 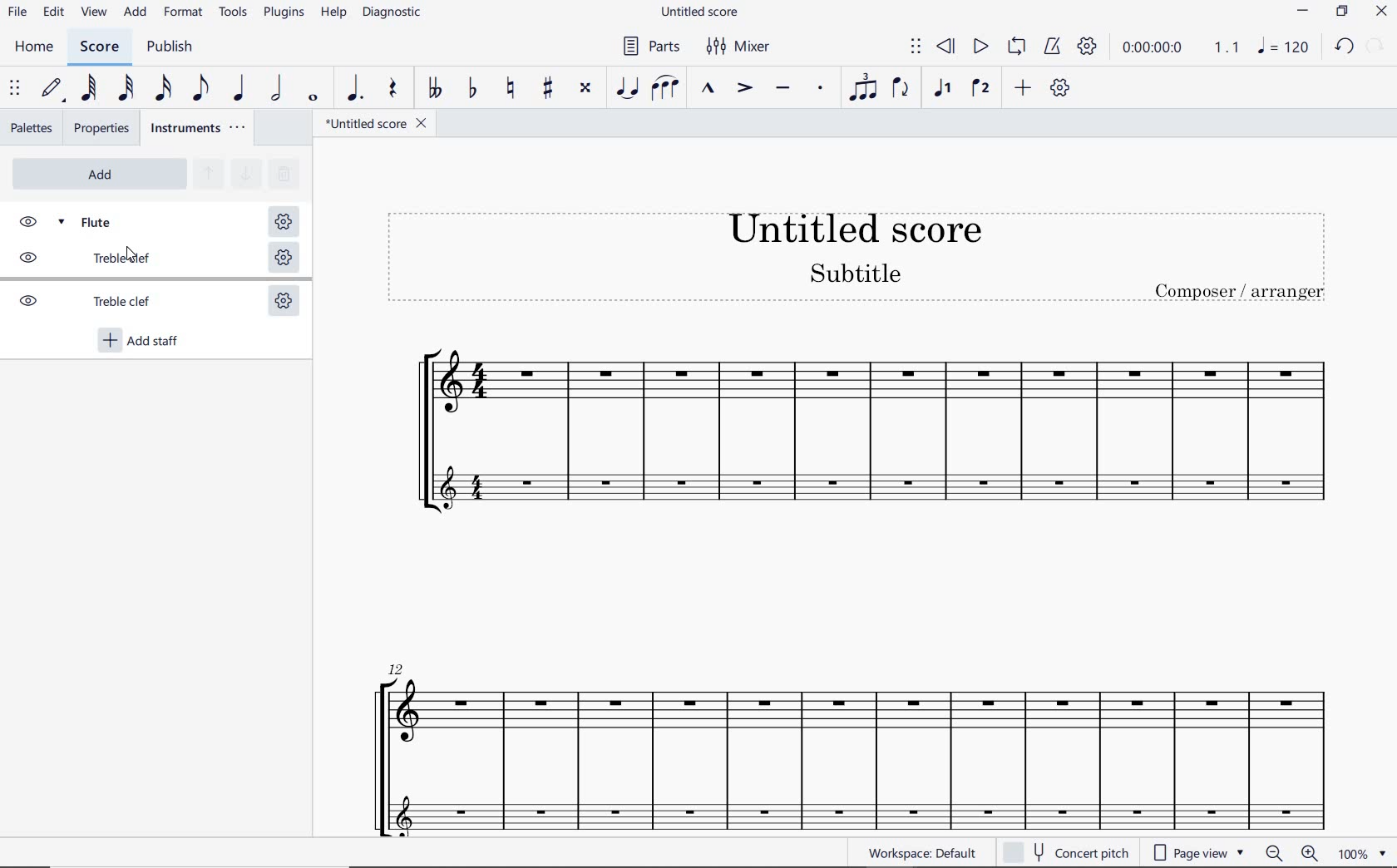 What do you see at coordinates (282, 172) in the screenshot?
I see `REMOVE SELECTED INSTRUMENTS` at bounding box center [282, 172].